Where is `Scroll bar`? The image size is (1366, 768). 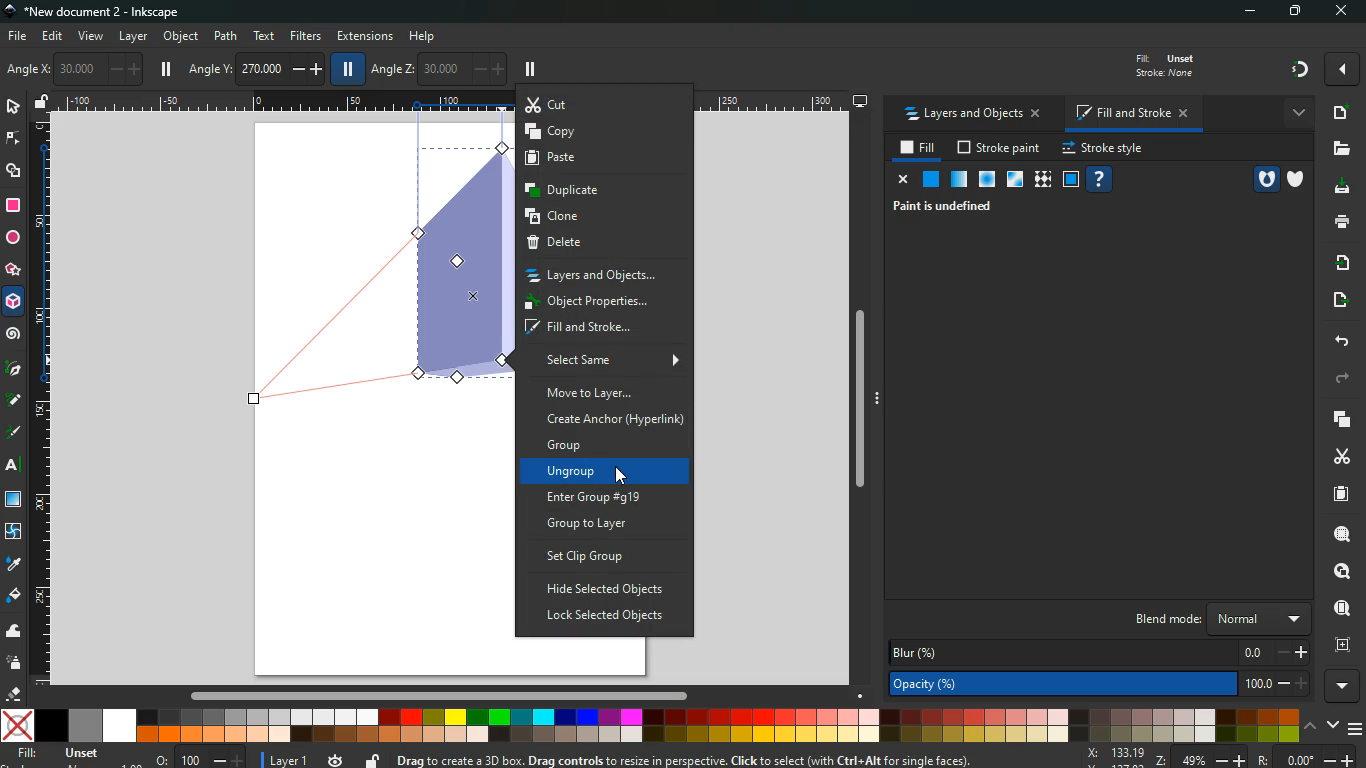
Scroll bar is located at coordinates (866, 401).